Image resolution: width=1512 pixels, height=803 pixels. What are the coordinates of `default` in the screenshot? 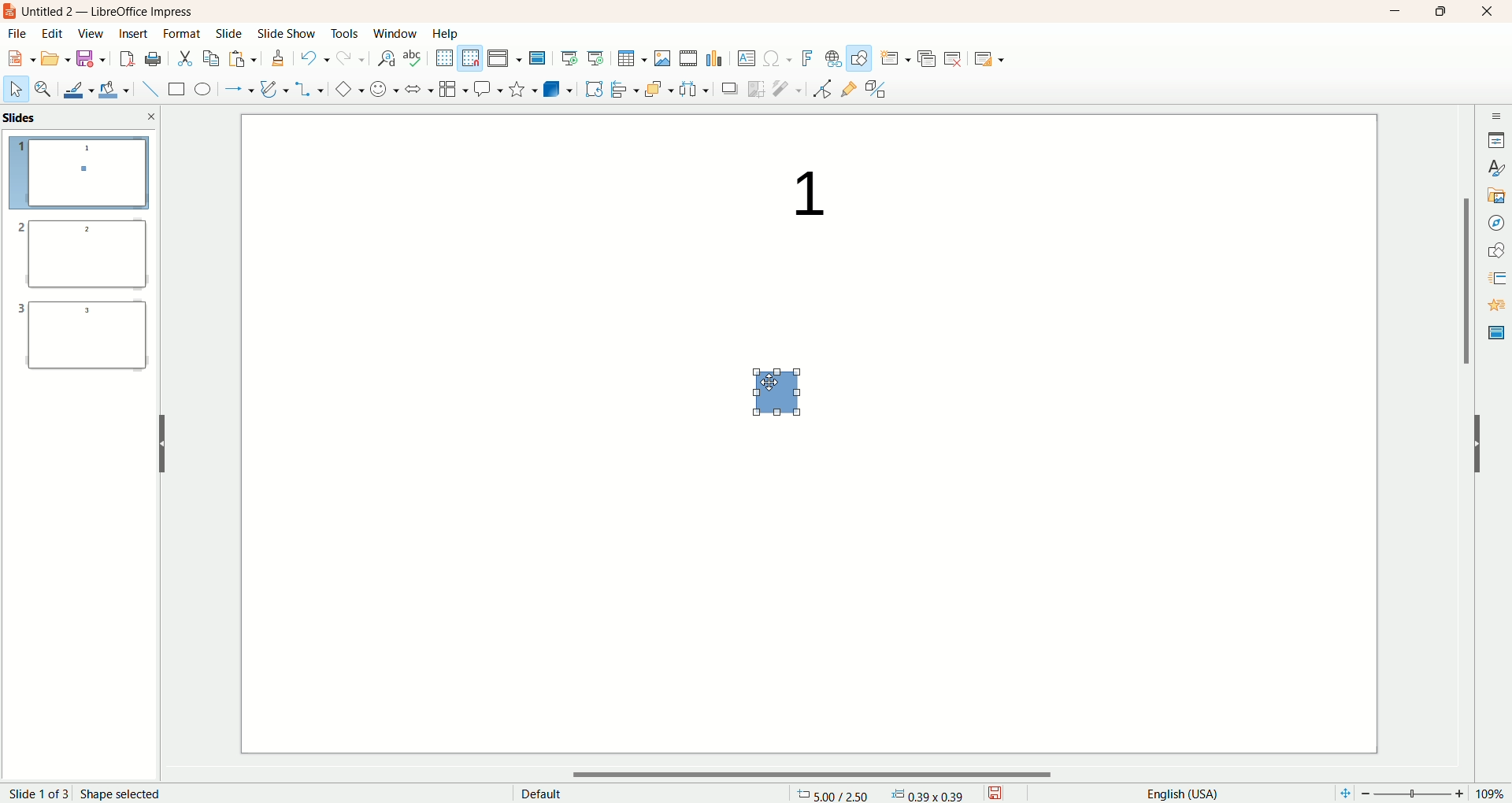 It's located at (539, 792).